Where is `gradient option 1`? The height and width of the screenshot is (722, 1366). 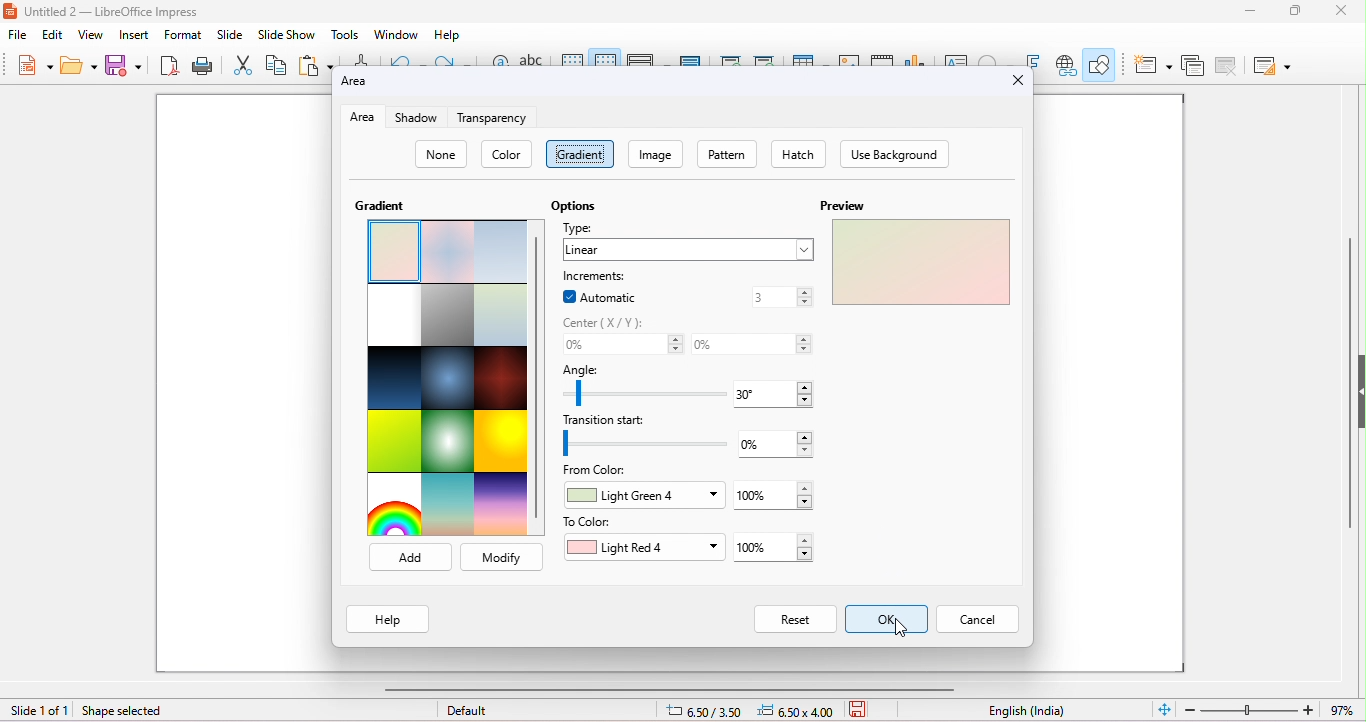
gradient option 1 is located at coordinates (391, 251).